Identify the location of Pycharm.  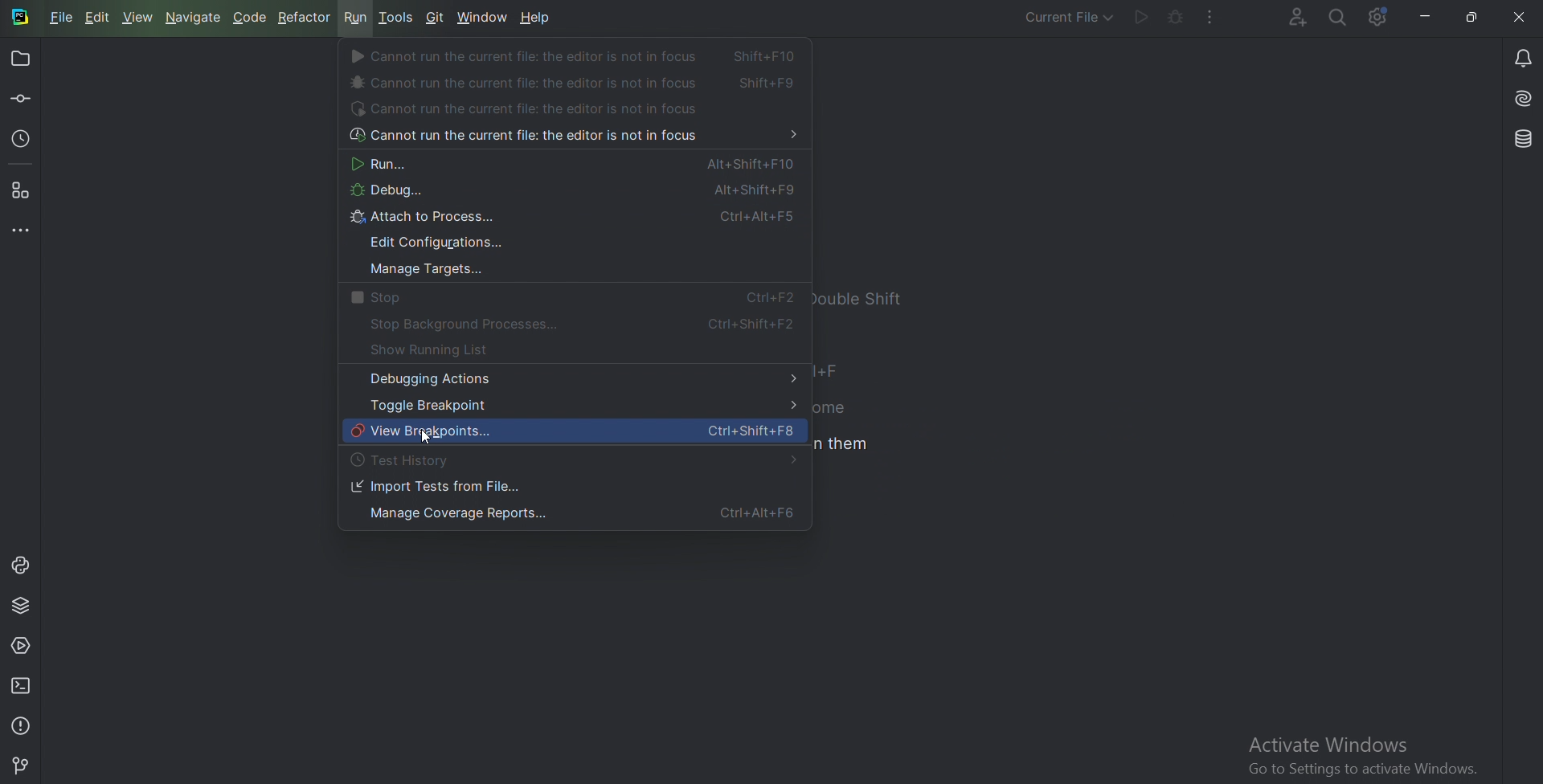
(21, 18).